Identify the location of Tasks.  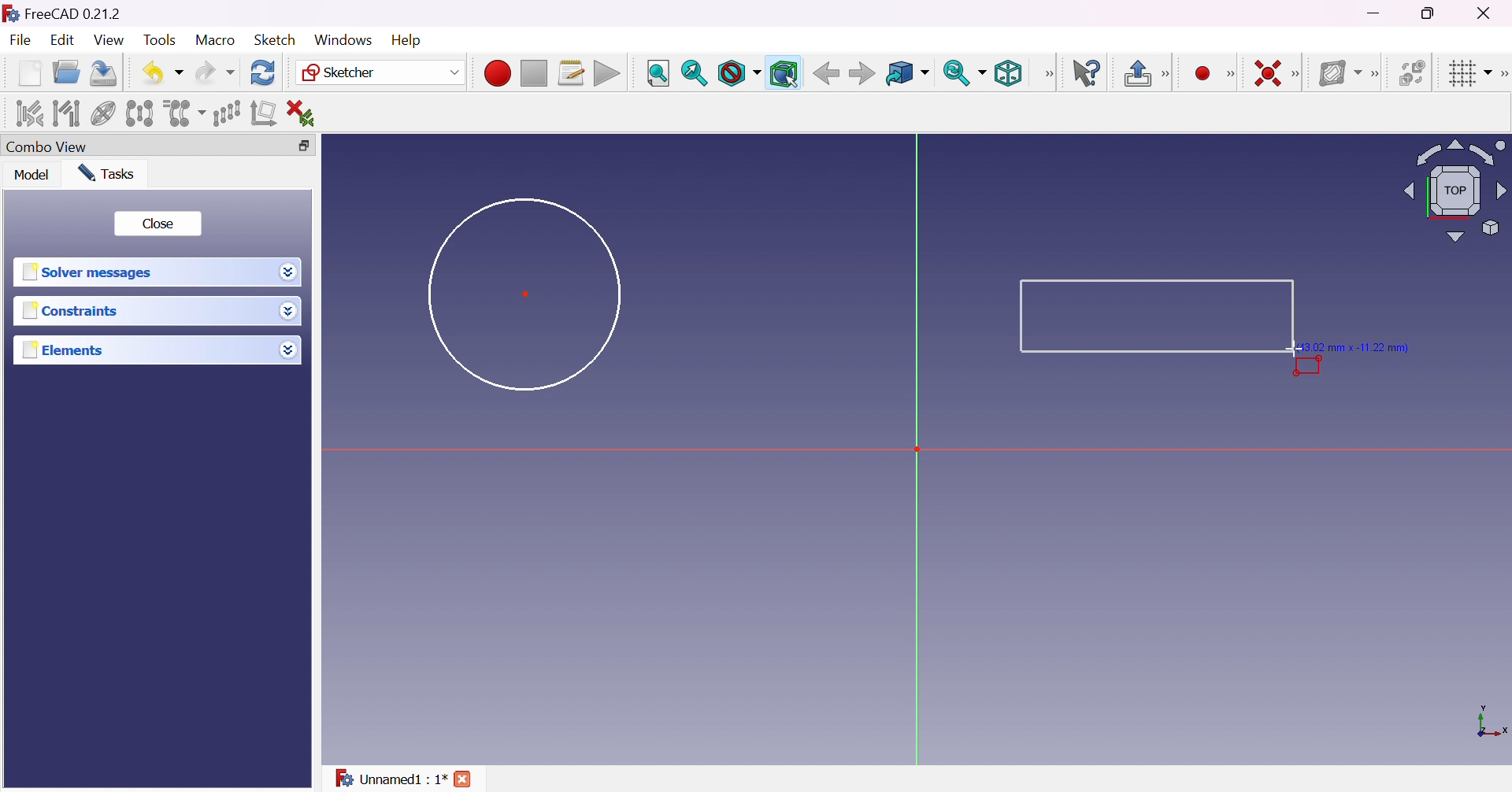
(106, 172).